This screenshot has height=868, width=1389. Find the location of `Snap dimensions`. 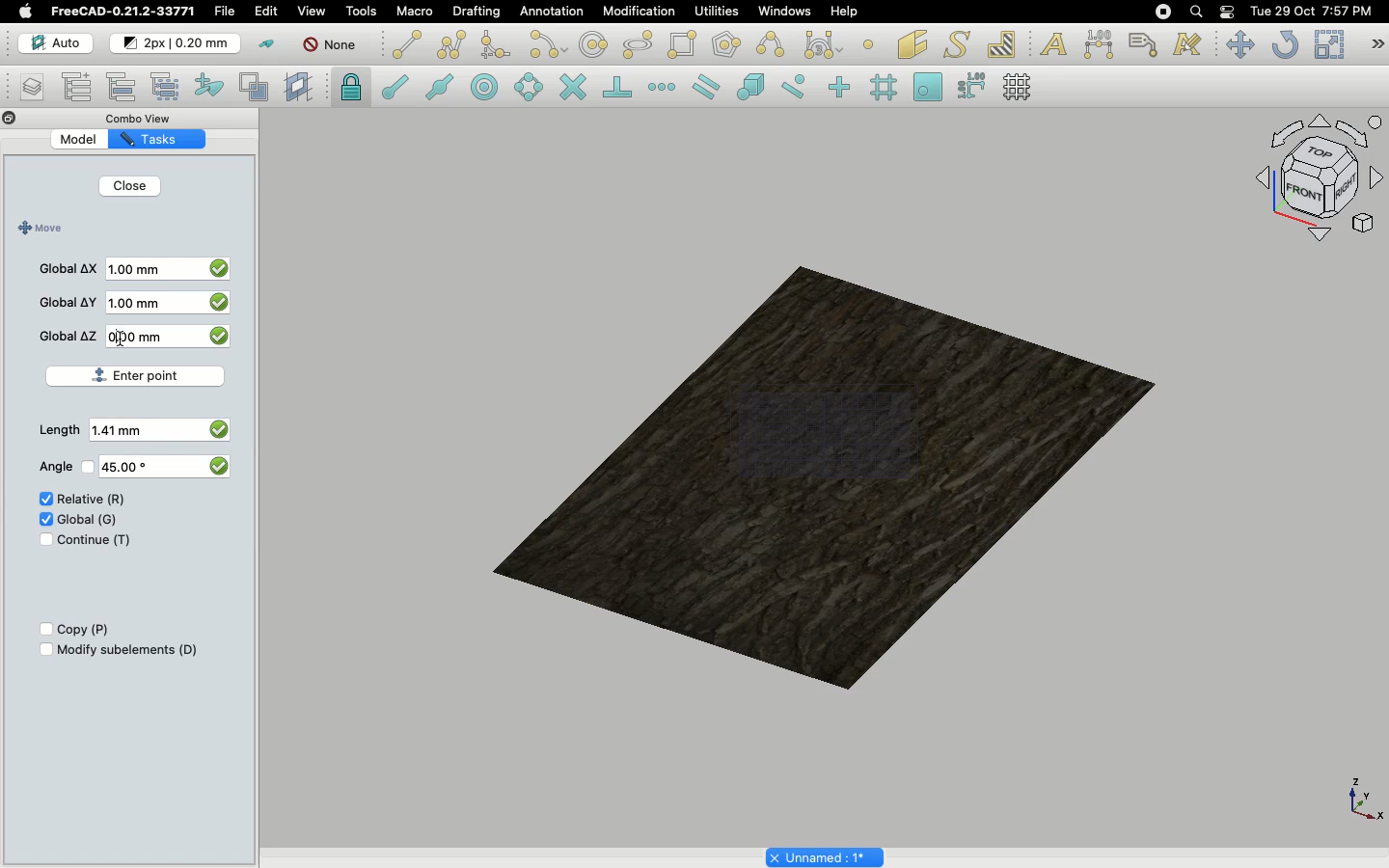

Snap dimensions is located at coordinates (972, 87).